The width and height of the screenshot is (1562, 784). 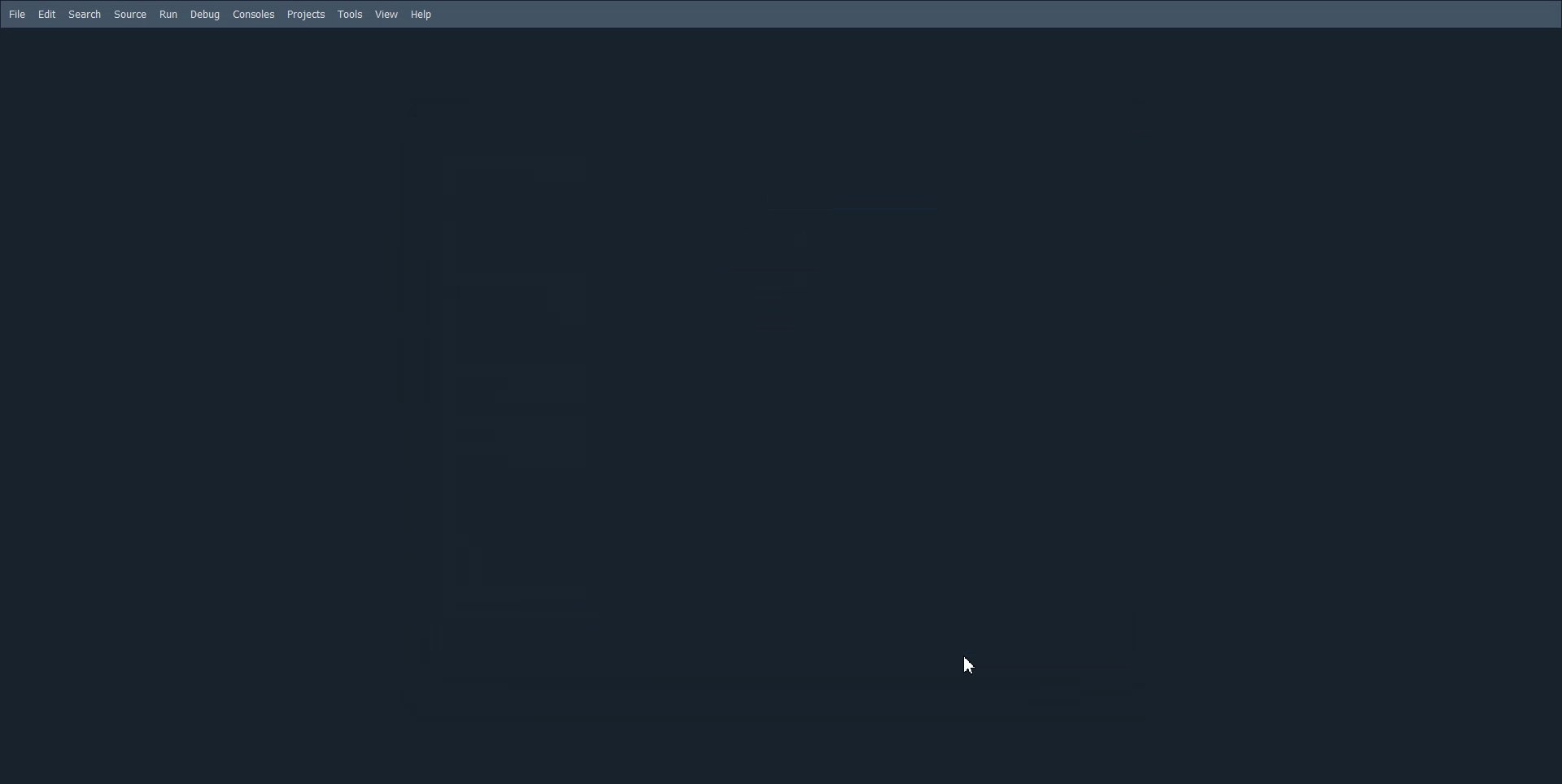 What do you see at coordinates (205, 15) in the screenshot?
I see `Debug` at bounding box center [205, 15].